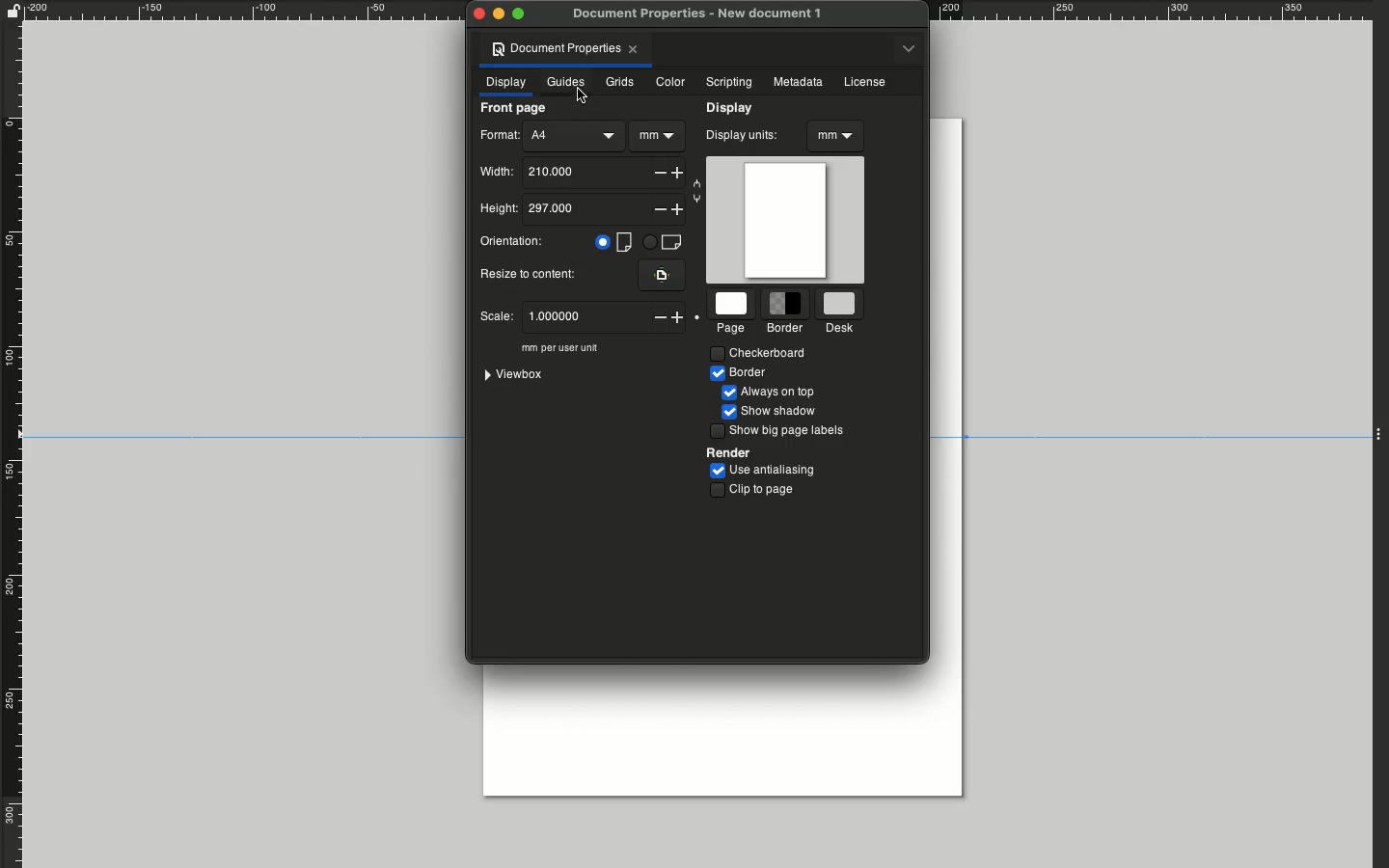  I want to click on Checkerboard, so click(760, 352).